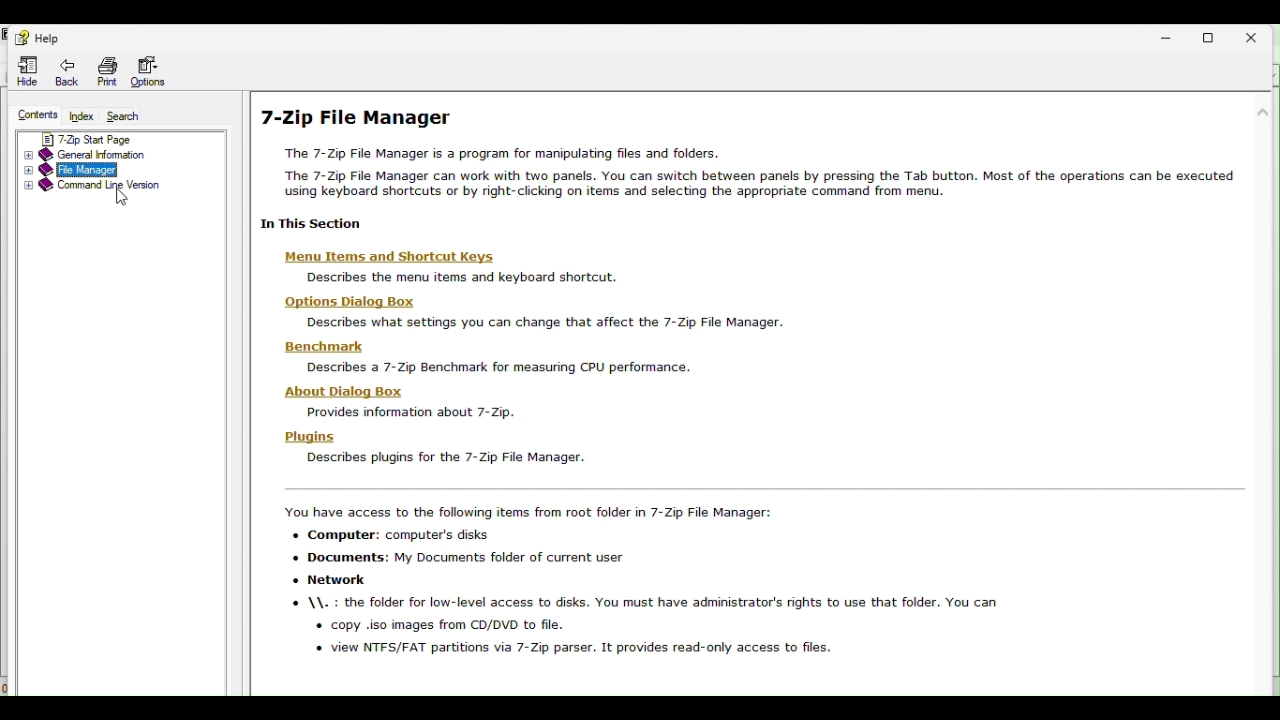 This screenshot has width=1280, height=720. I want to click on Minimize, so click(1170, 37).